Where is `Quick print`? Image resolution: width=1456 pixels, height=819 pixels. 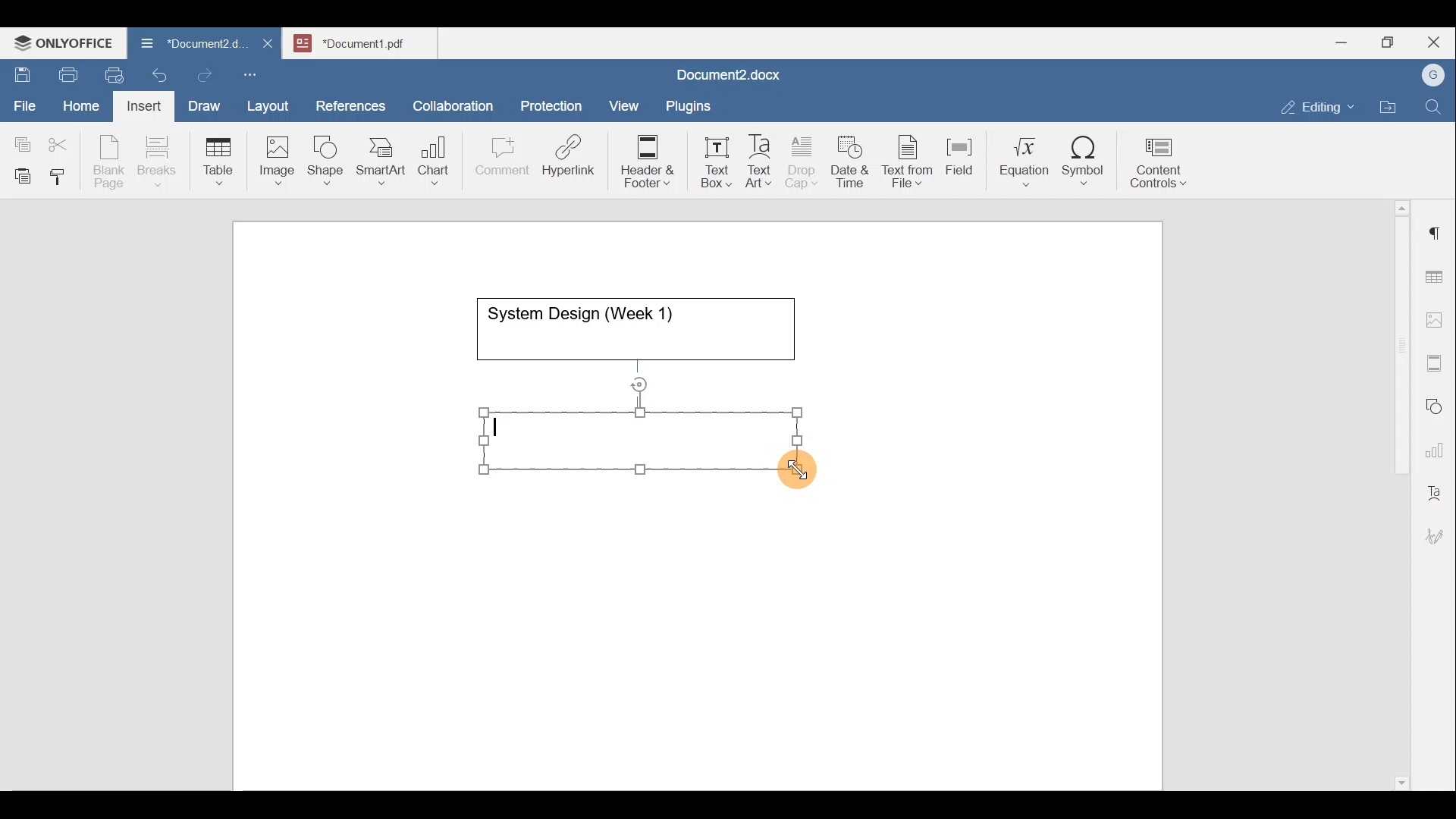 Quick print is located at coordinates (110, 73).